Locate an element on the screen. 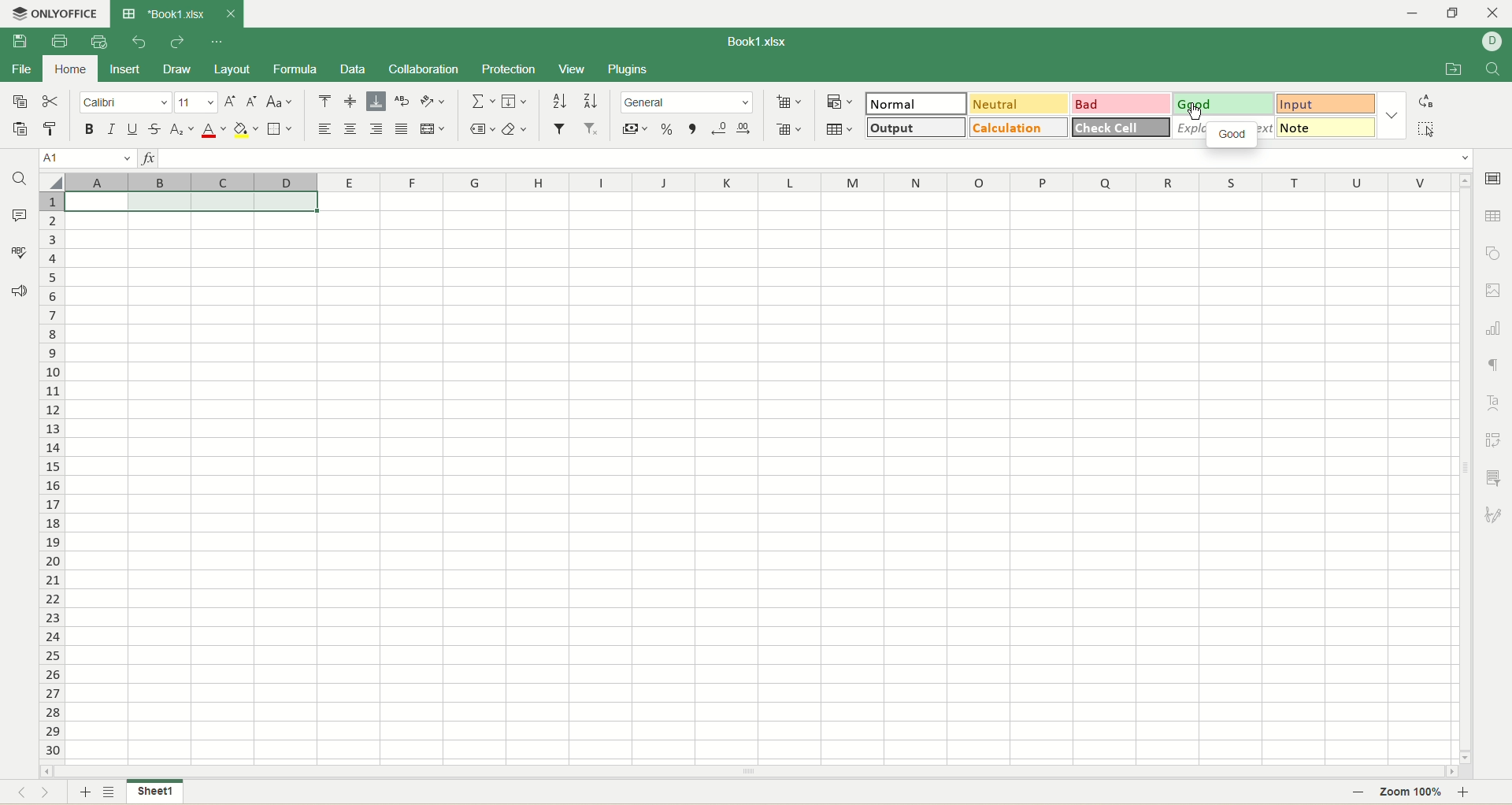 The width and height of the screenshot is (1512, 805). quick print is located at coordinates (99, 42).